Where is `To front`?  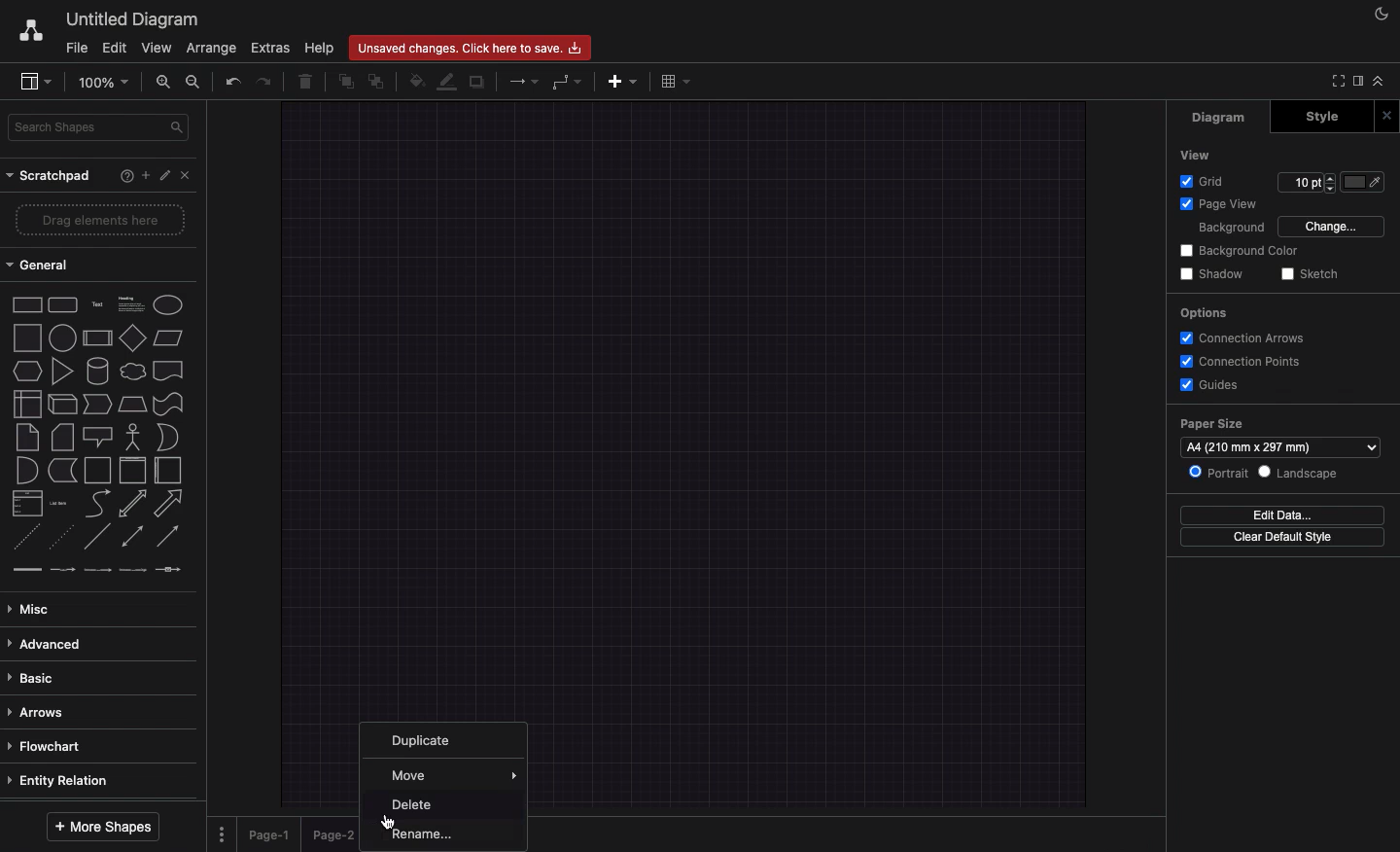 To front is located at coordinates (345, 81).